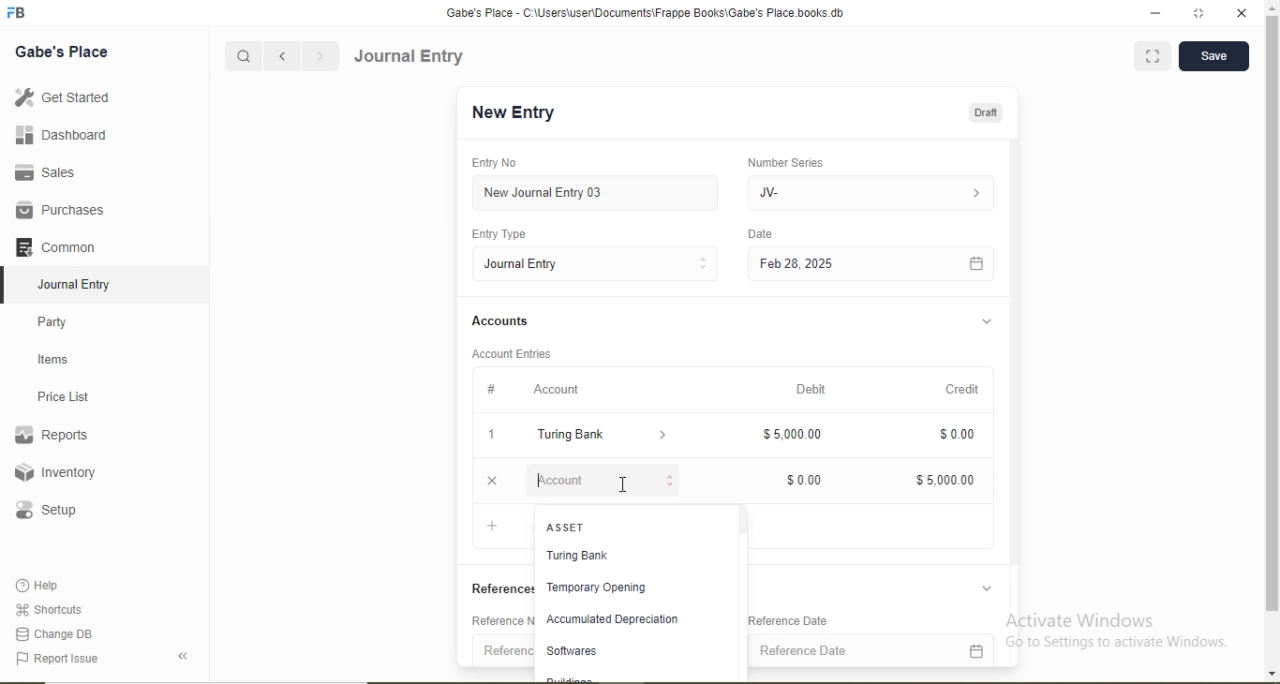  What do you see at coordinates (1270, 674) in the screenshot?
I see `scroll down` at bounding box center [1270, 674].